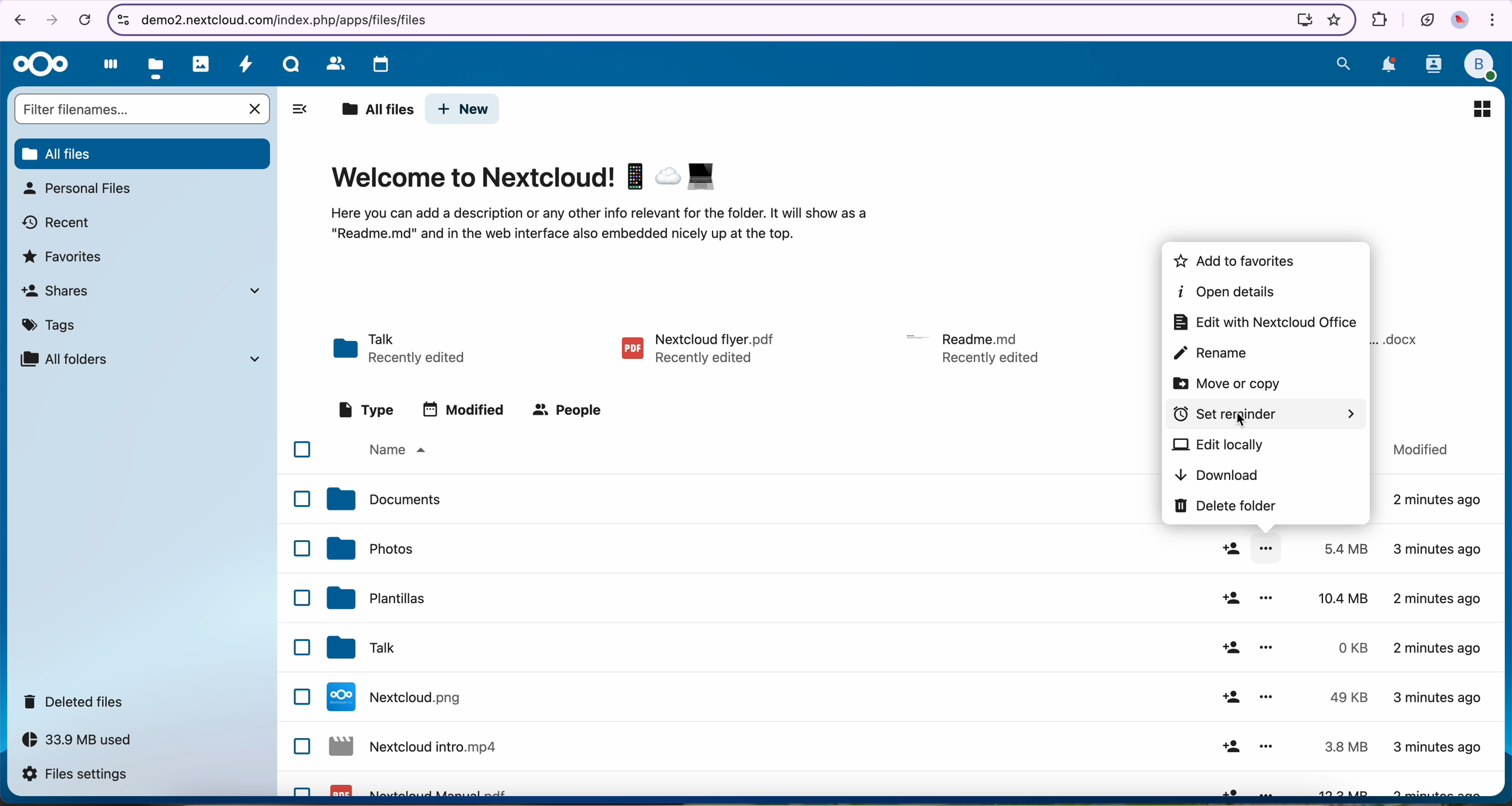 The width and height of the screenshot is (1512, 806). Describe the element at coordinates (1231, 261) in the screenshot. I see `add to favorites` at that location.